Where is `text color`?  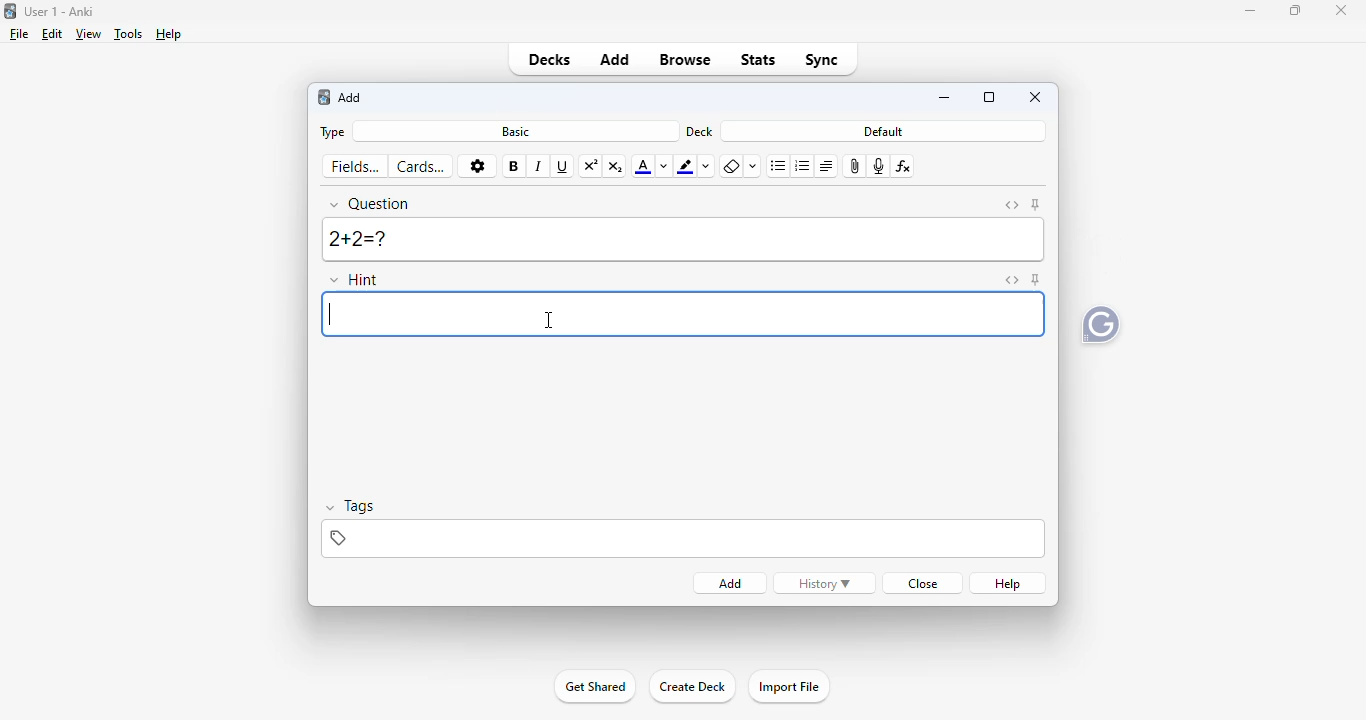 text color is located at coordinates (642, 168).